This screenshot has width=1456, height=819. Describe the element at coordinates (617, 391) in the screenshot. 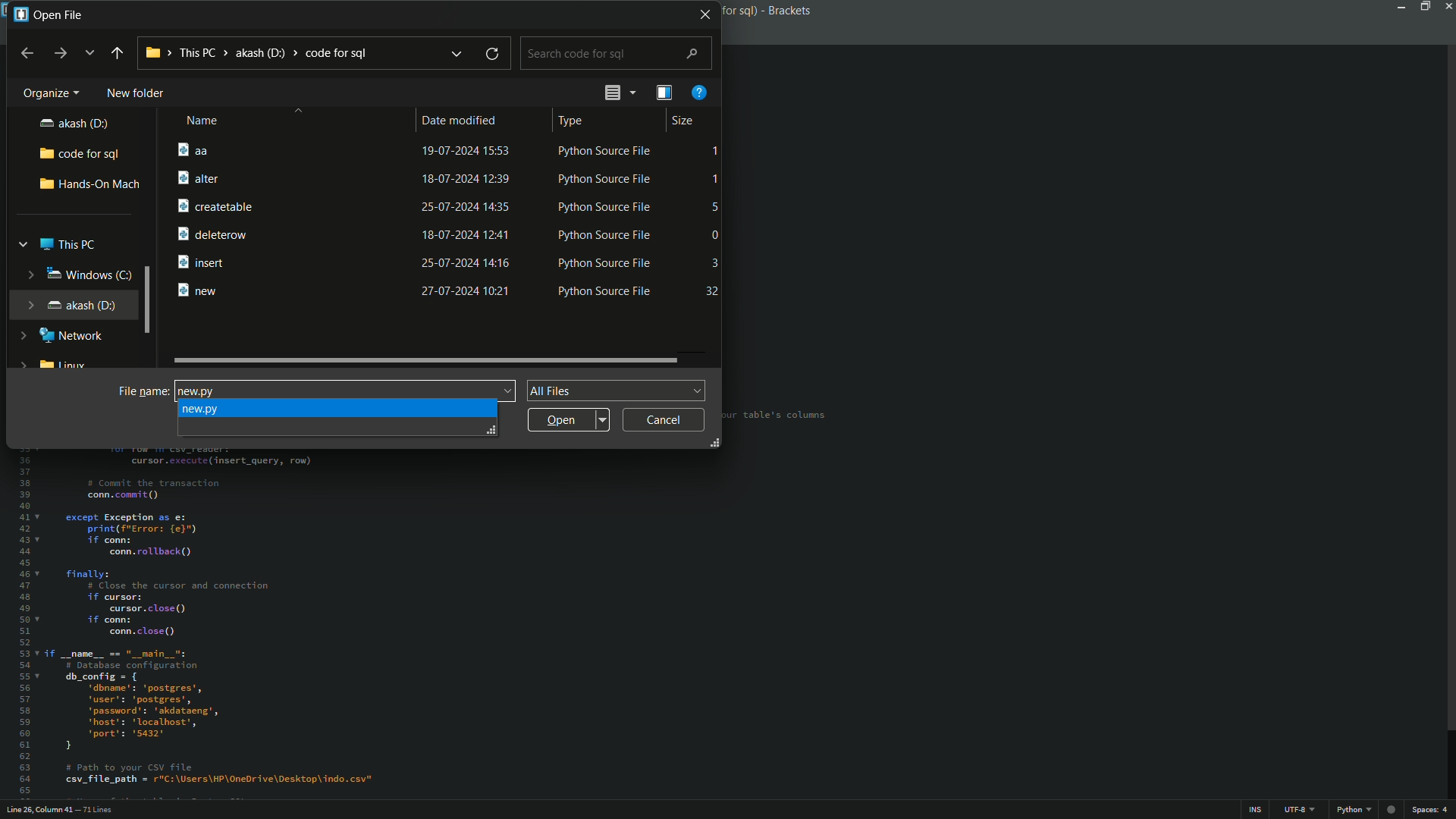

I see `file format` at that location.